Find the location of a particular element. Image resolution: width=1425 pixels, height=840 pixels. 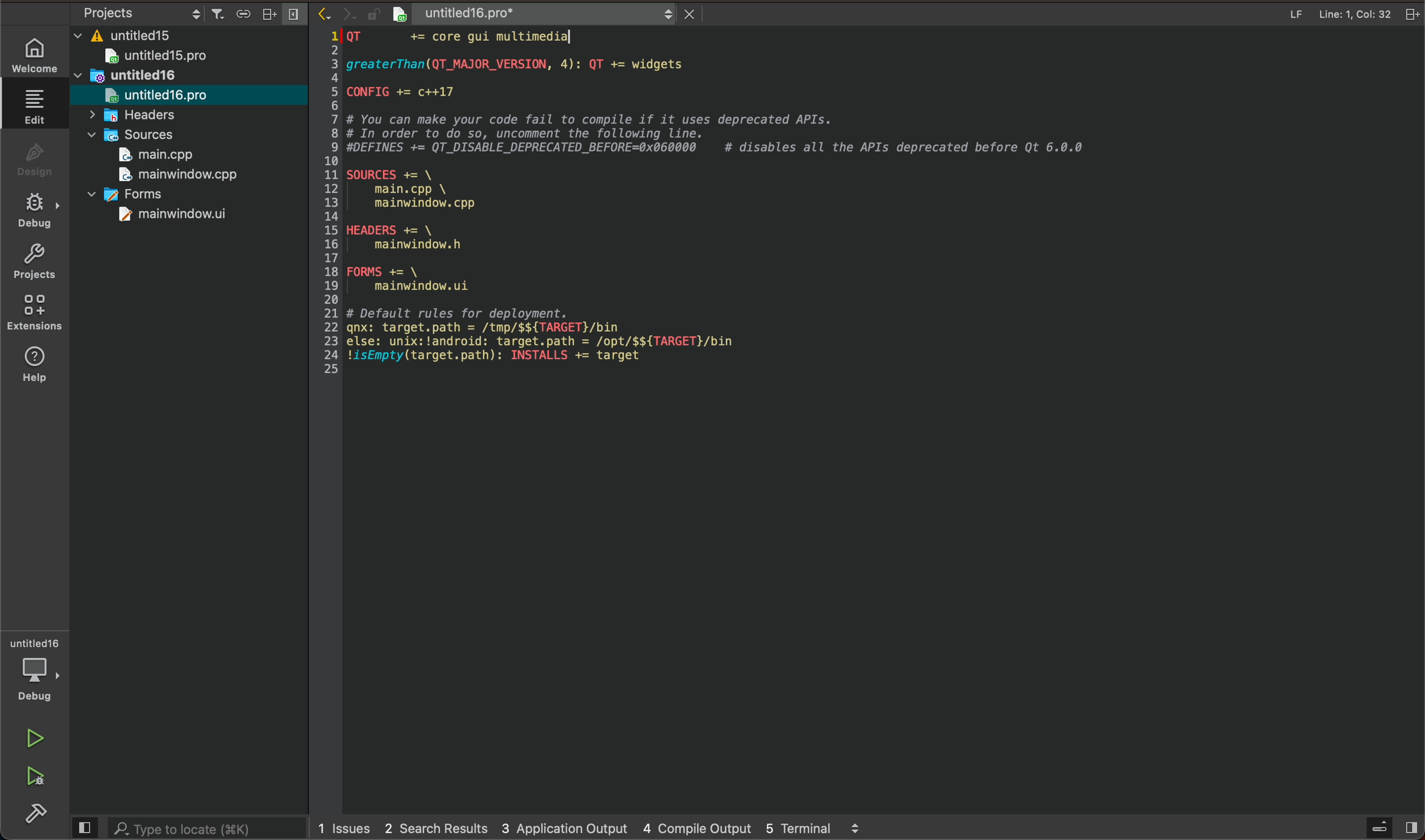

forms is located at coordinates (136, 192).